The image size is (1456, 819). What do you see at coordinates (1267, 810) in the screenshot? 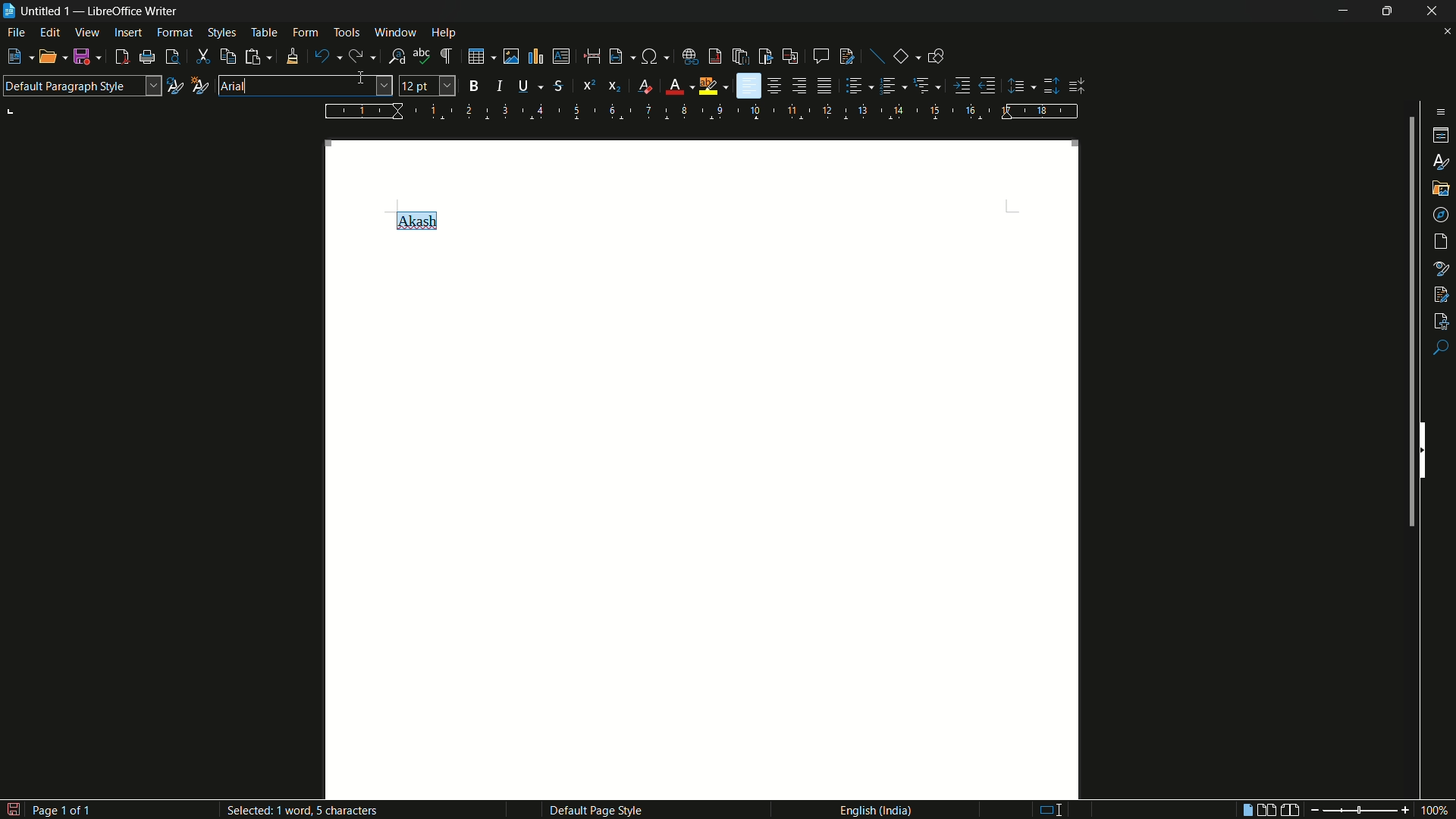
I see `multiple page` at bounding box center [1267, 810].